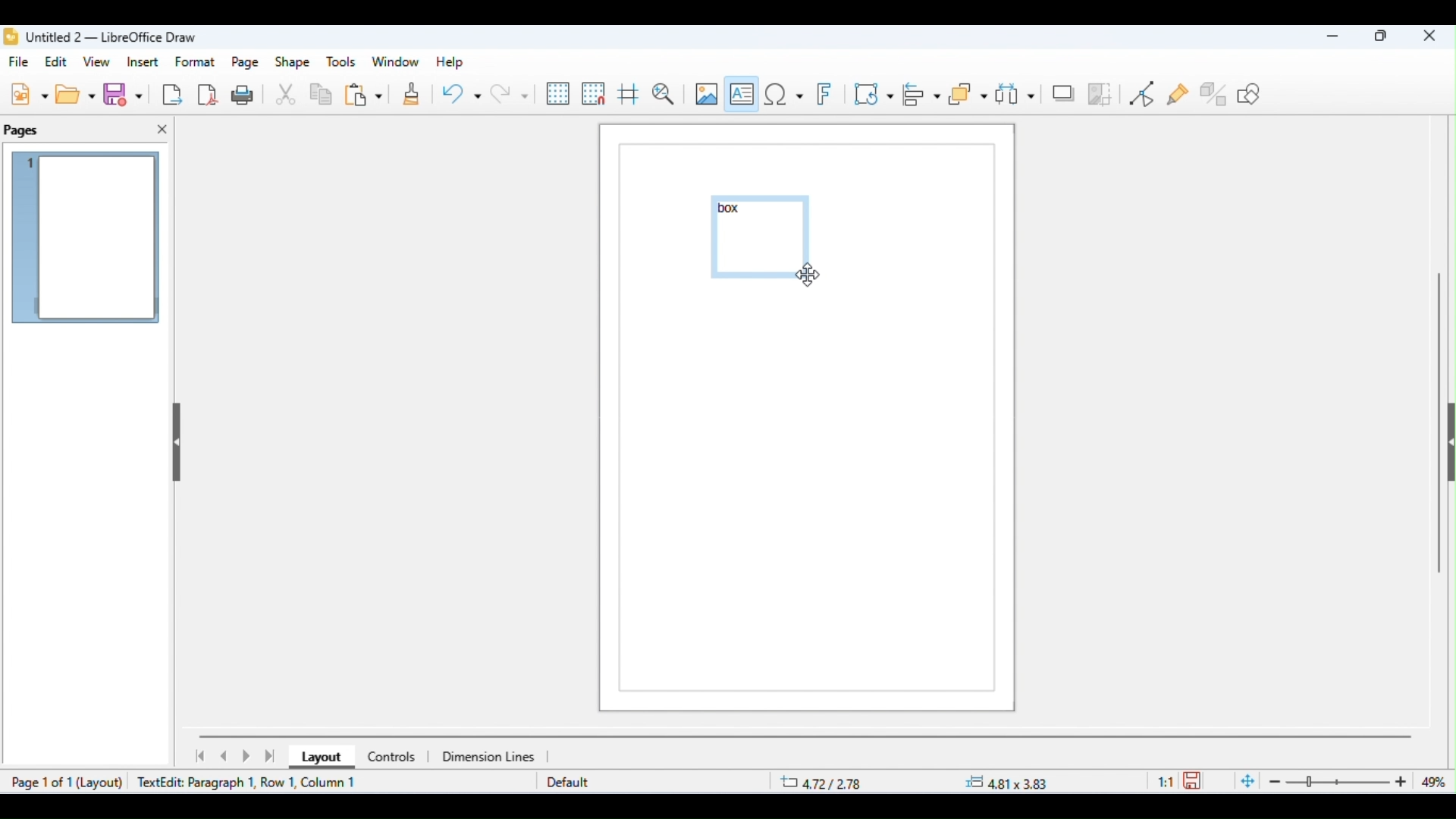 This screenshot has width=1456, height=819. I want to click on clone, so click(409, 96).